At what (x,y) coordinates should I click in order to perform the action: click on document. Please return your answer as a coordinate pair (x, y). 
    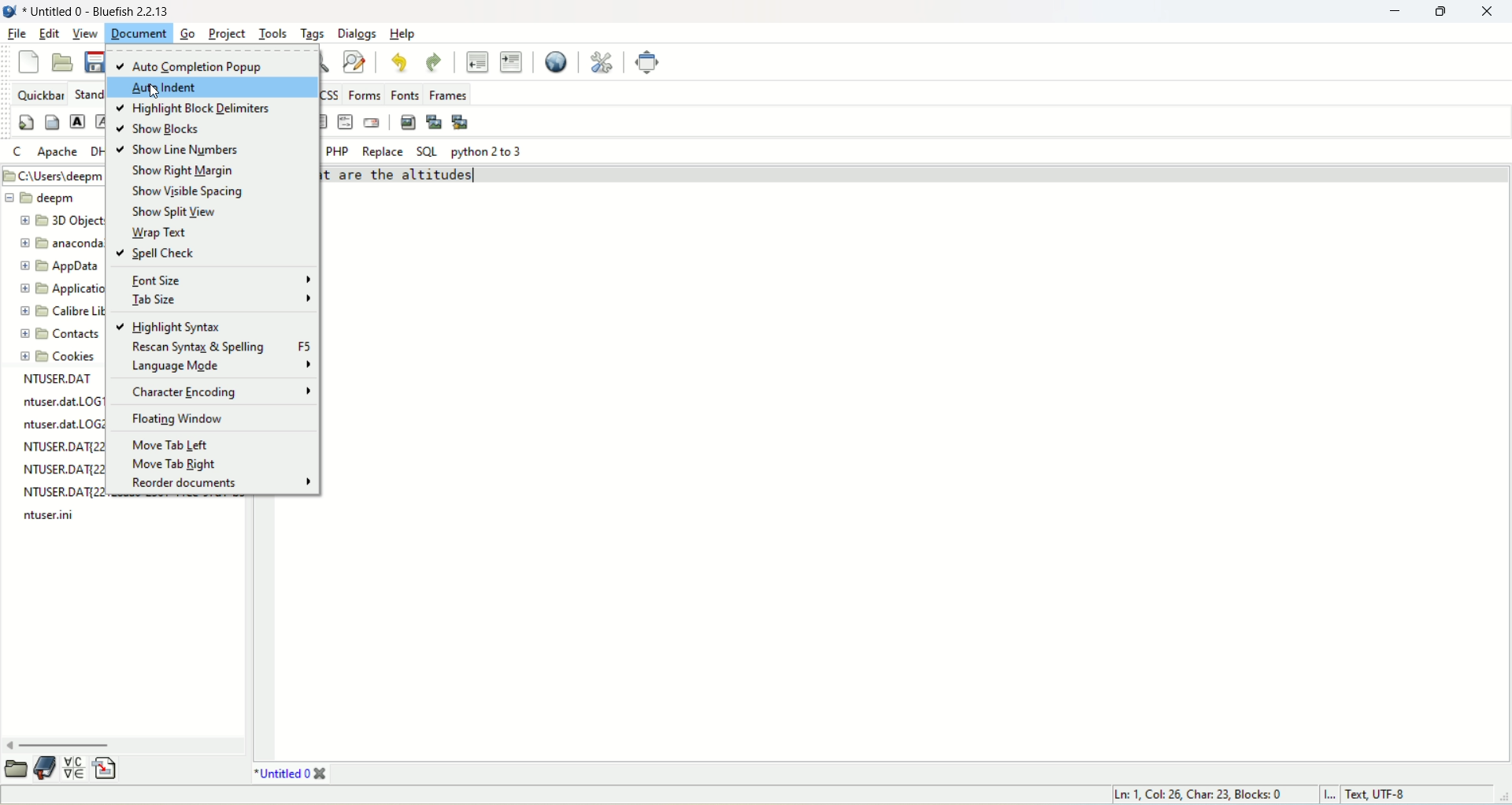
    Looking at the image, I should click on (101, 10).